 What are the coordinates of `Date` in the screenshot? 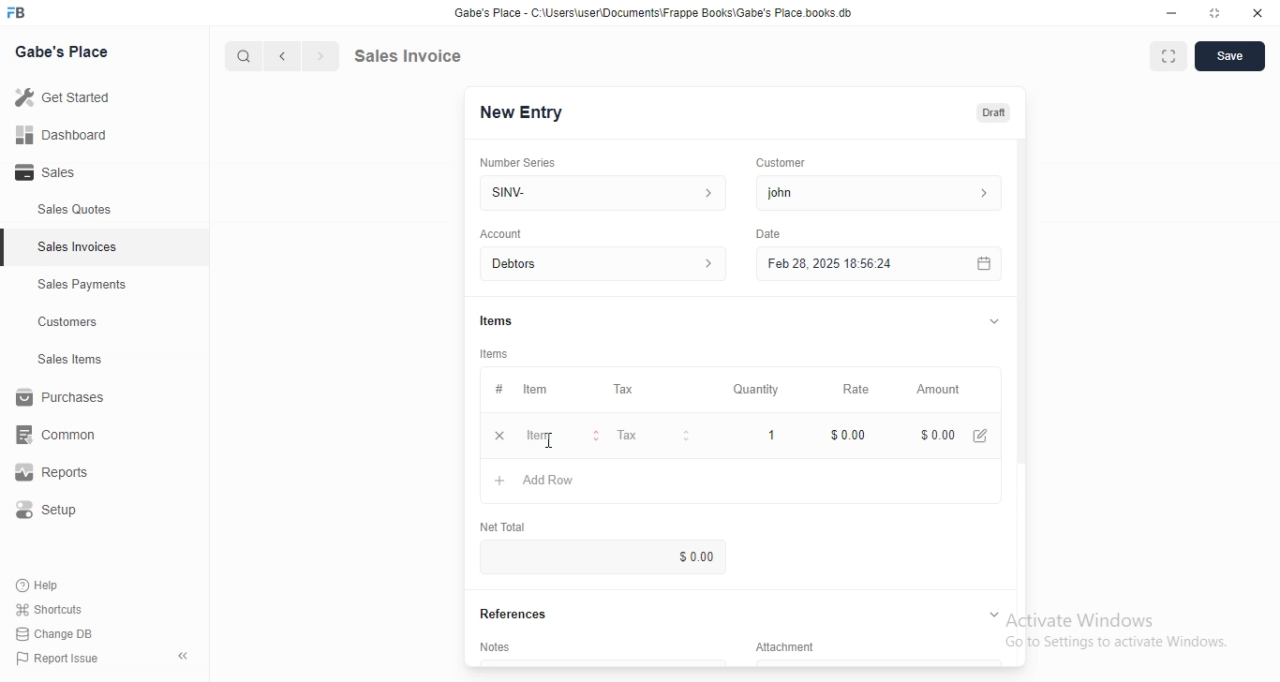 It's located at (768, 232).